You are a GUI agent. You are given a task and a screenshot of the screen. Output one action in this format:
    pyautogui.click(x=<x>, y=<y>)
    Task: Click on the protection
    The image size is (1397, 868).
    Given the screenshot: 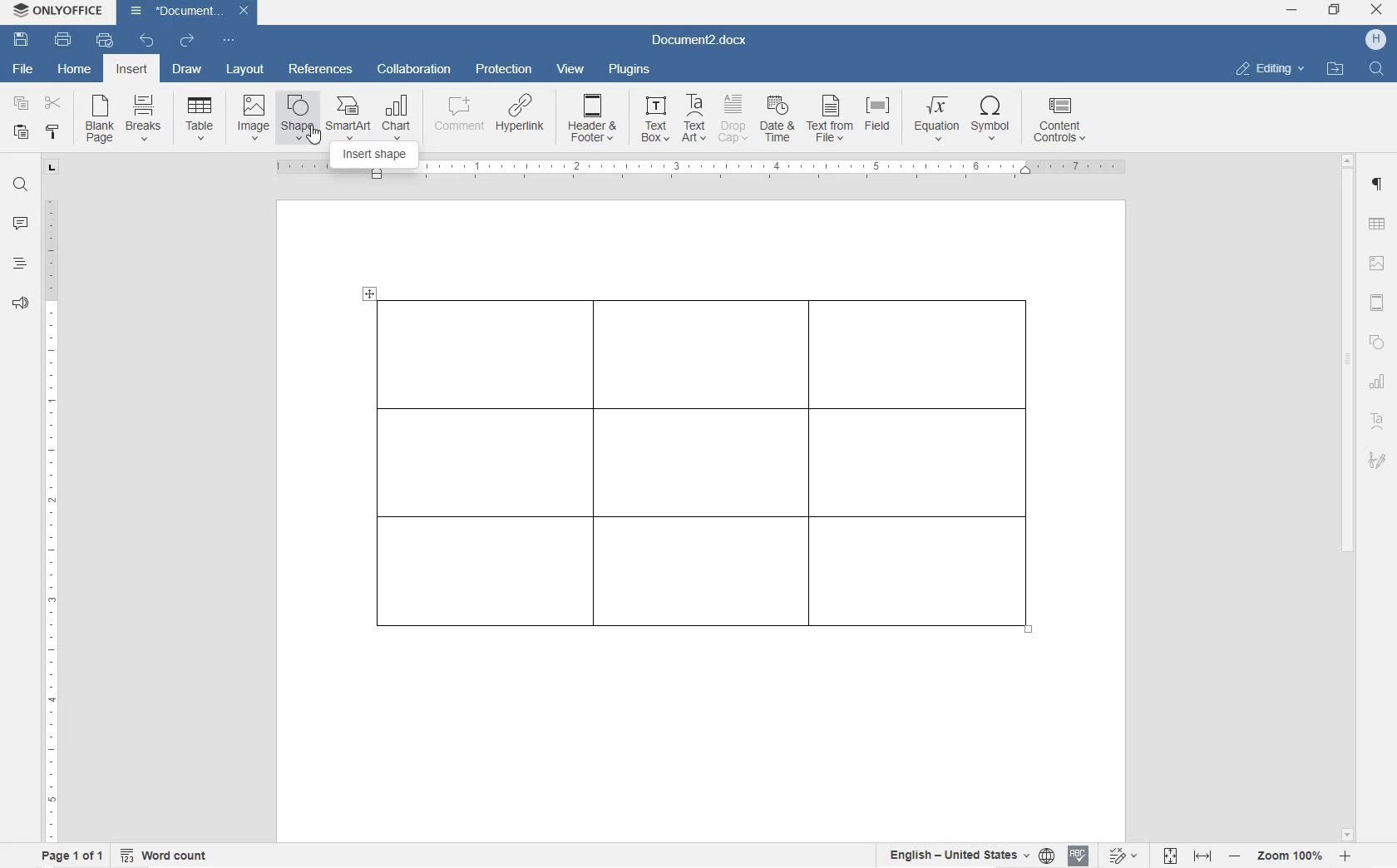 What is the action you would take?
    pyautogui.click(x=506, y=70)
    